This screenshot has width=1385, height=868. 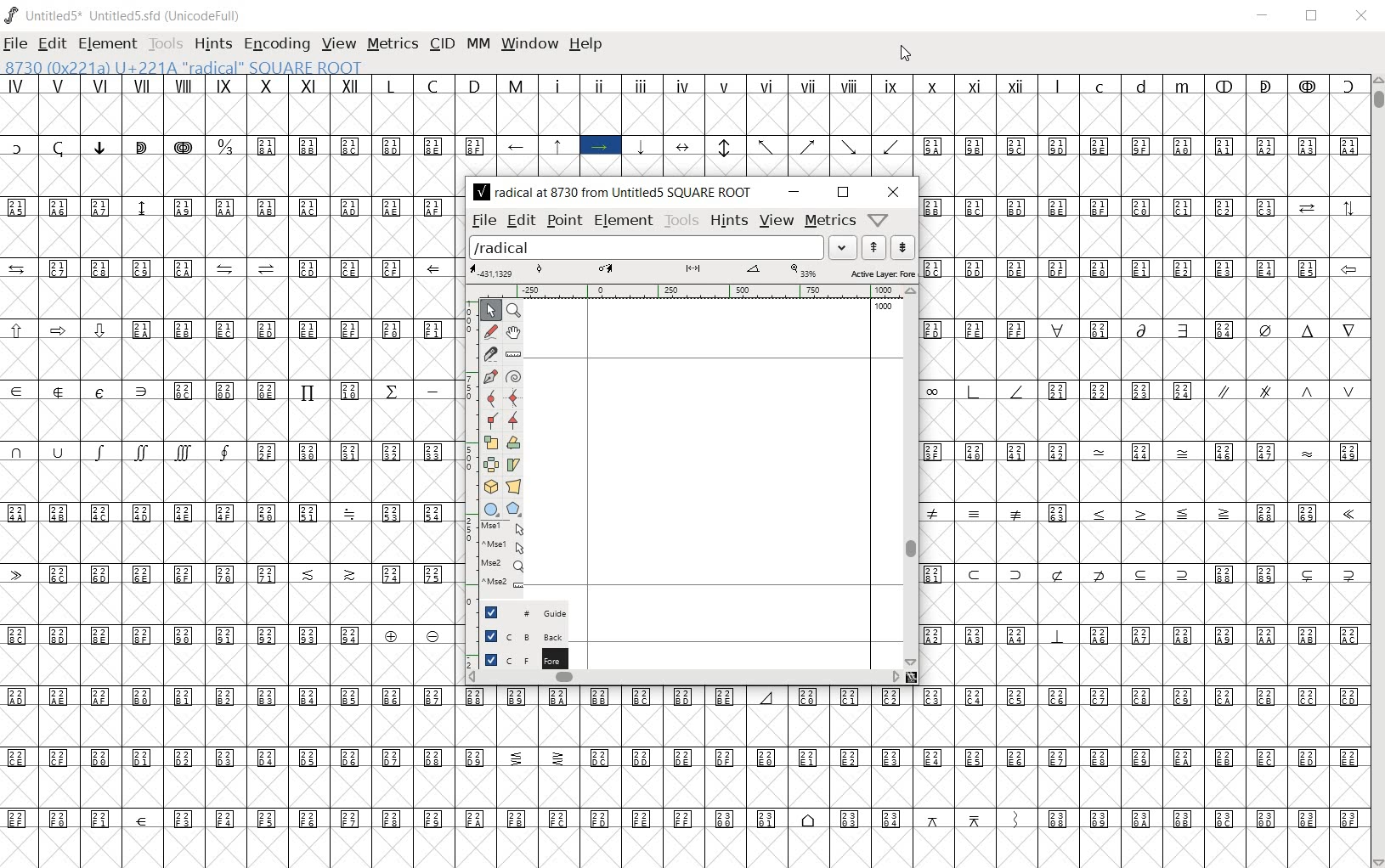 What do you see at coordinates (515, 376) in the screenshot?
I see `change whether spiro is active or not` at bounding box center [515, 376].